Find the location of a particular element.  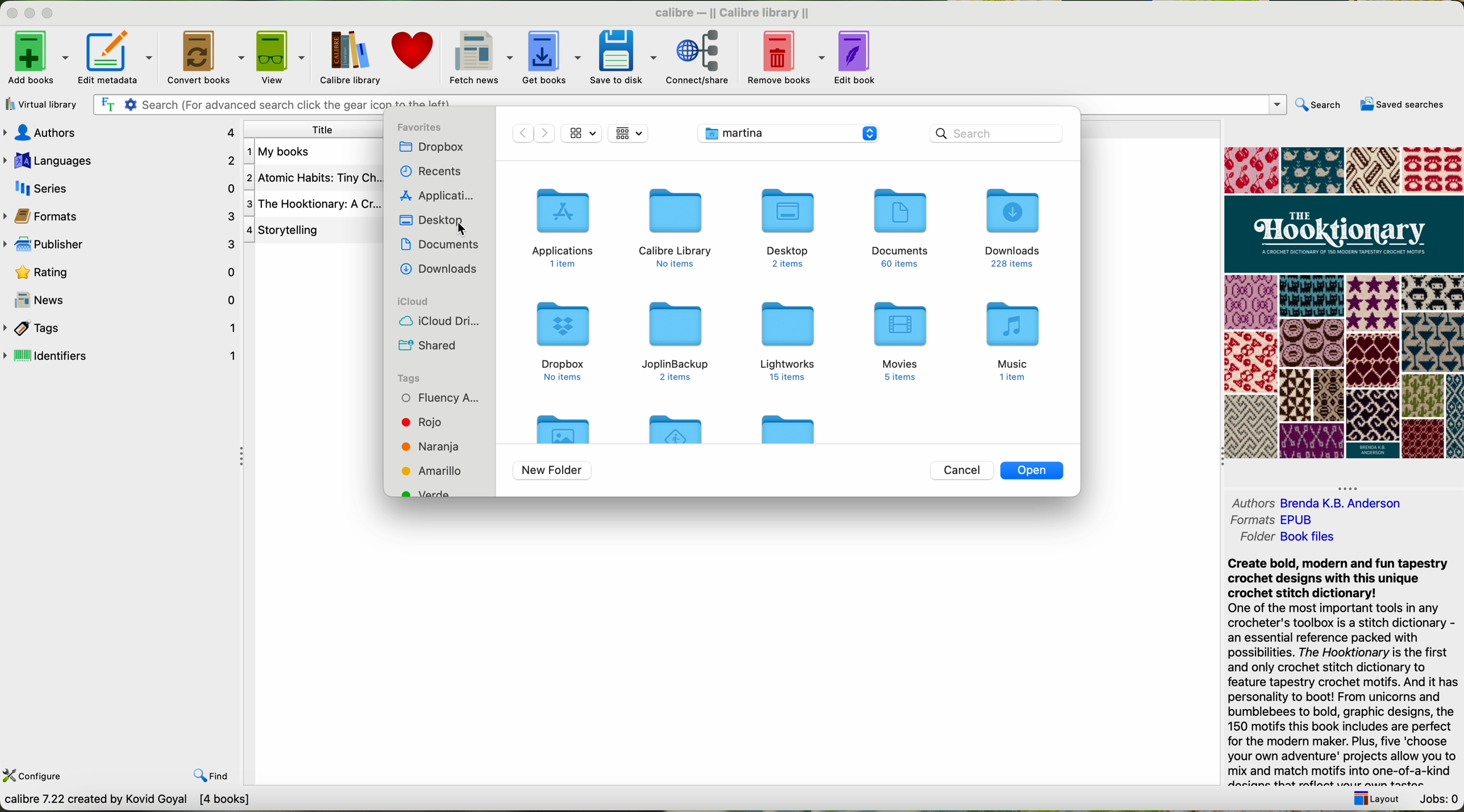

downloads folder is located at coordinates (1013, 228).